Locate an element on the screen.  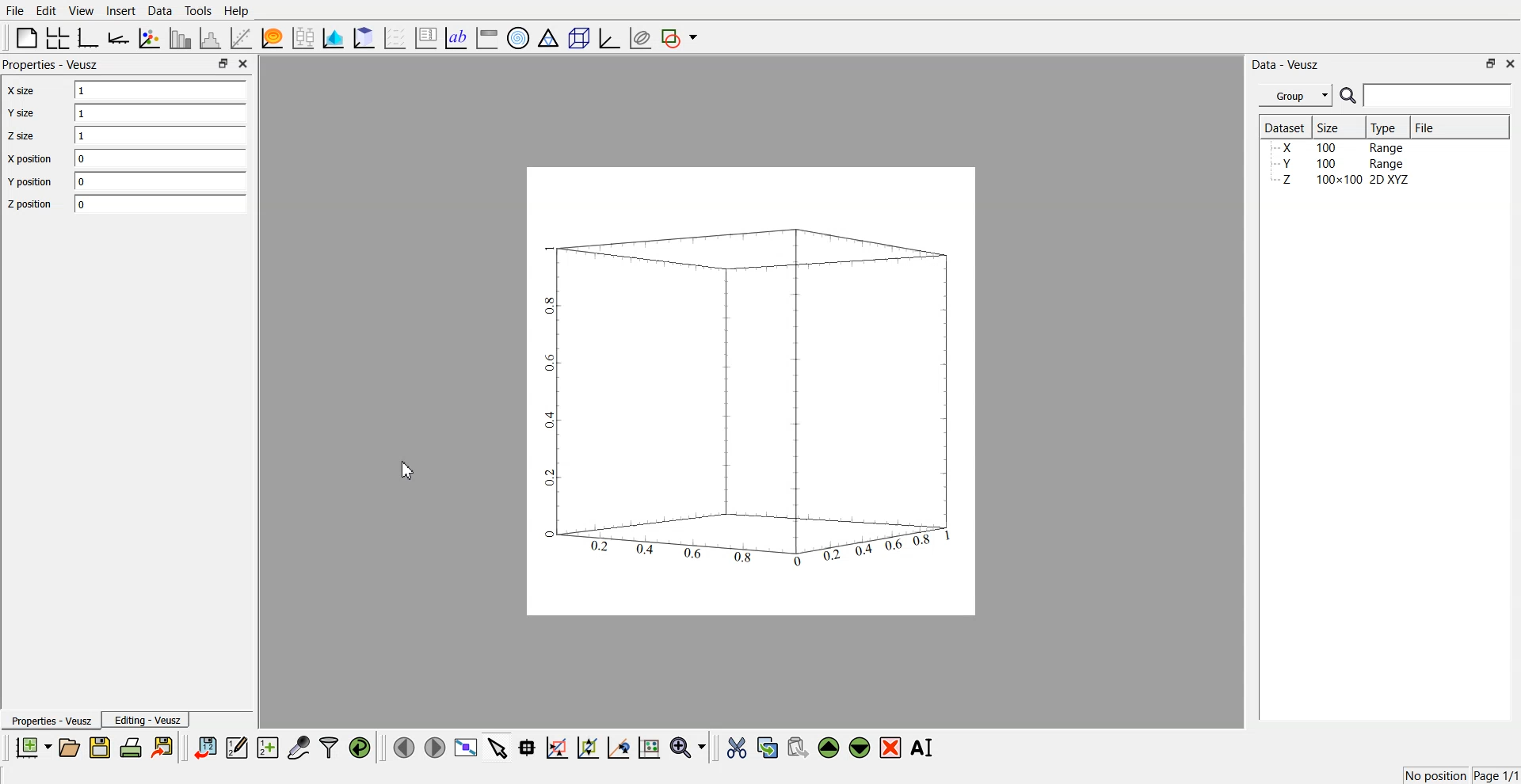
Data - Veusz is located at coordinates (1285, 65).